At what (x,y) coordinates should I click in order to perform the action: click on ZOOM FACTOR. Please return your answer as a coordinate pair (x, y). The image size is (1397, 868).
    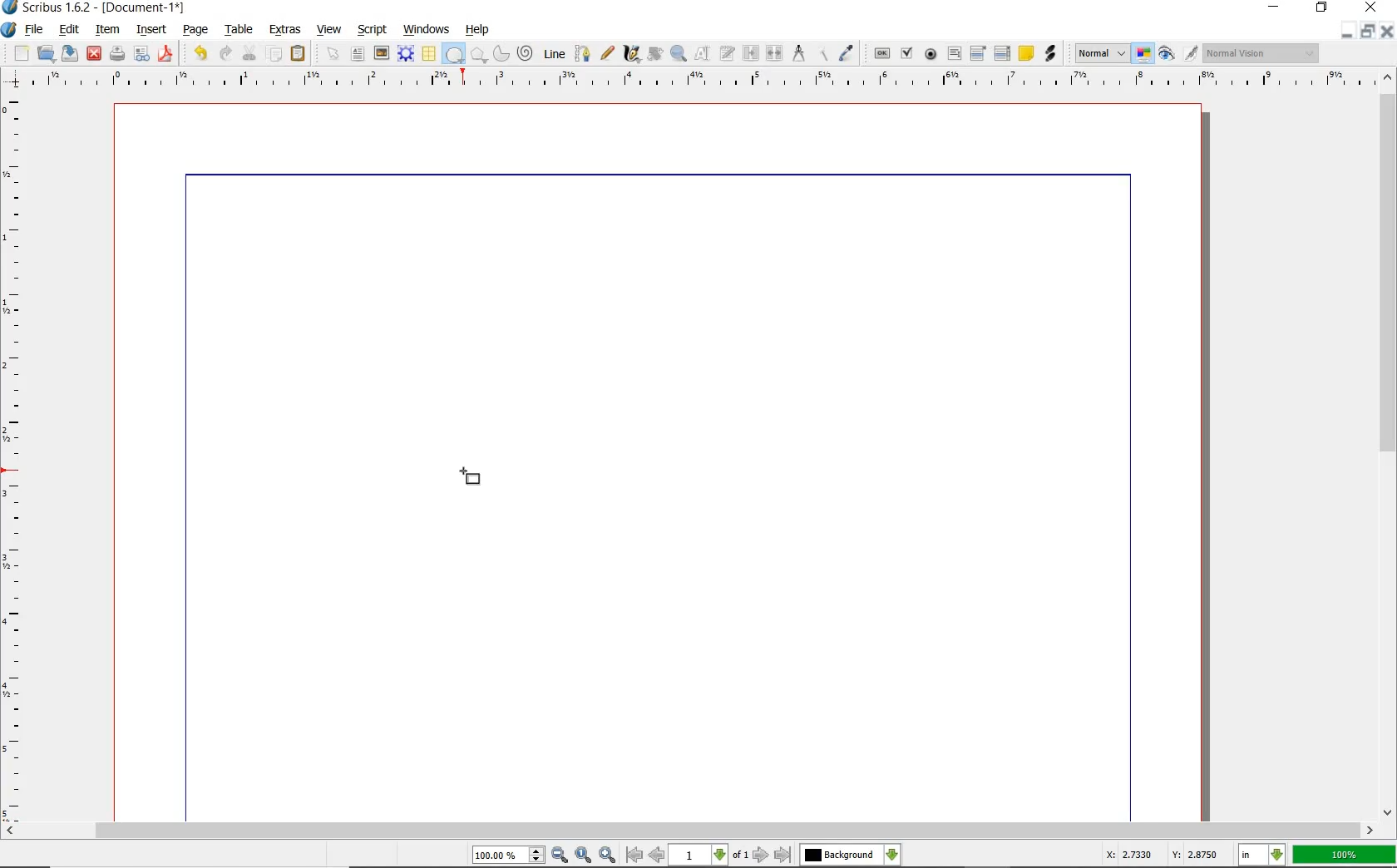
    Looking at the image, I should click on (1344, 856).